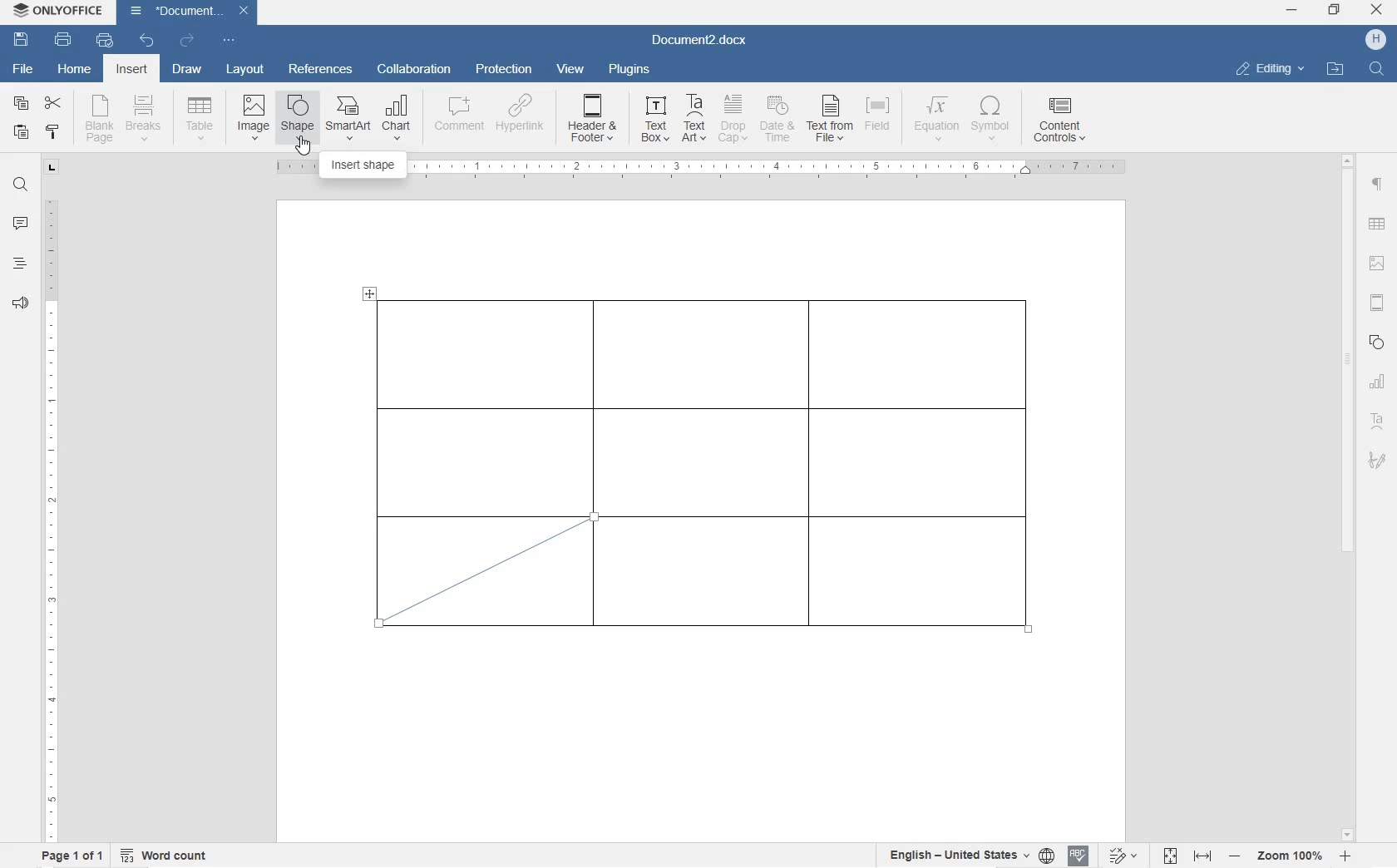 The width and height of the screenshot is (1397, 868). What do you see at coordinates (692, 120) in the screenshot?
I see `TEXT ART` at bounding box center [692, 120].